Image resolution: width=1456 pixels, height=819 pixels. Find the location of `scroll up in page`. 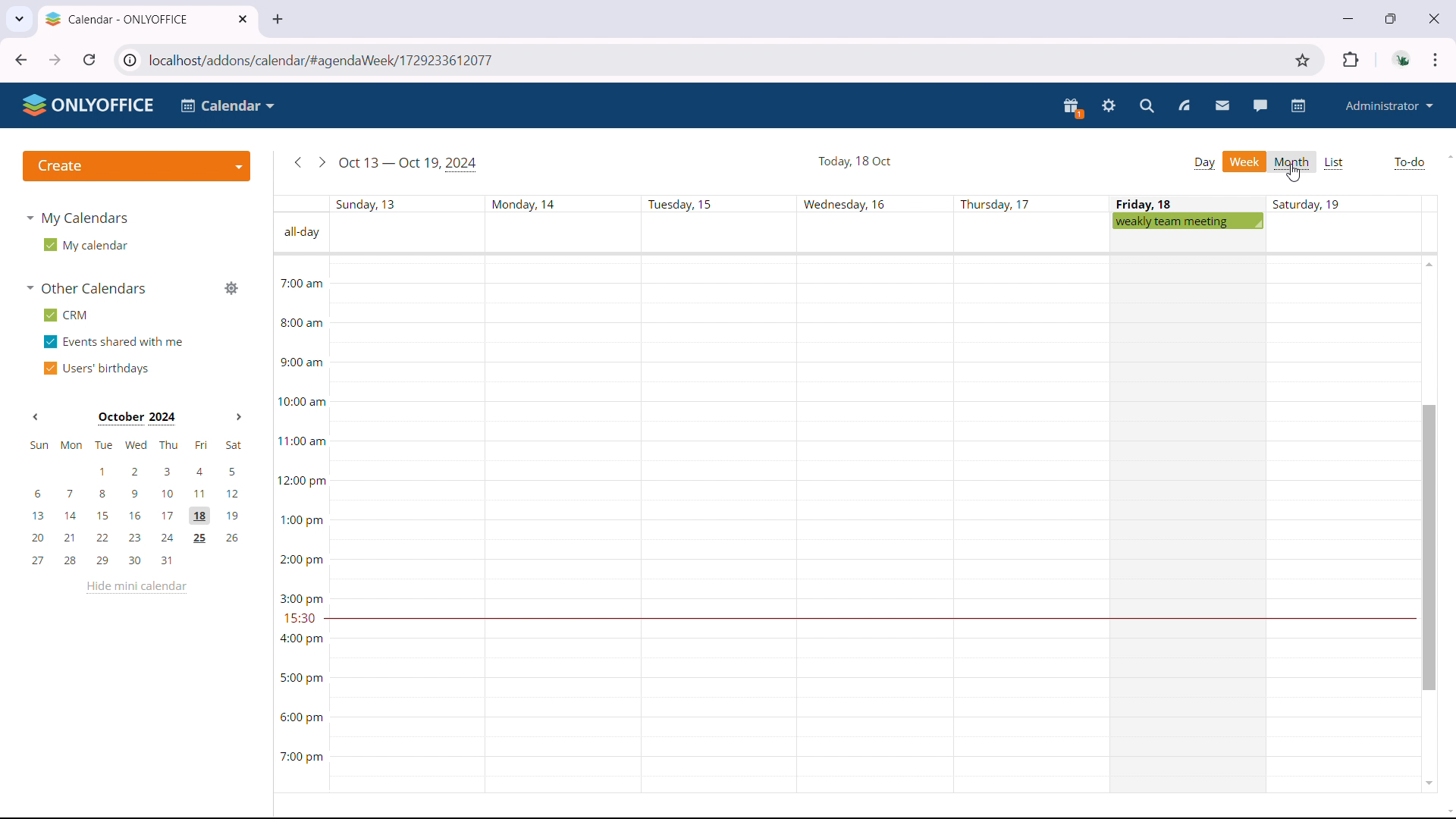

scroll up in page is located at coordinates (1447, 155).